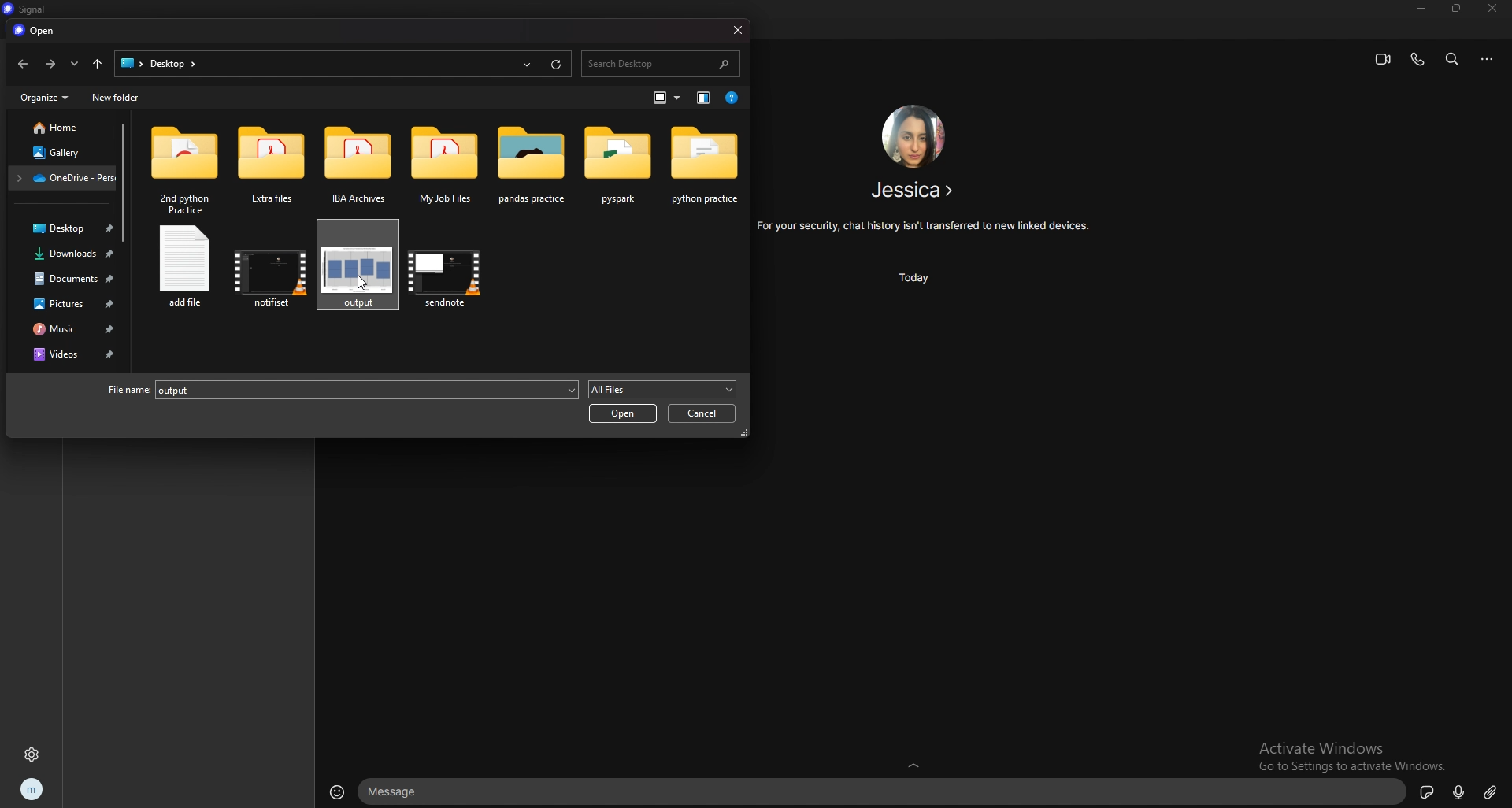 The image size is (1512, 808). Describe the element at coordinates (1380, 61) in the screenshot. I see `video call` at that location.